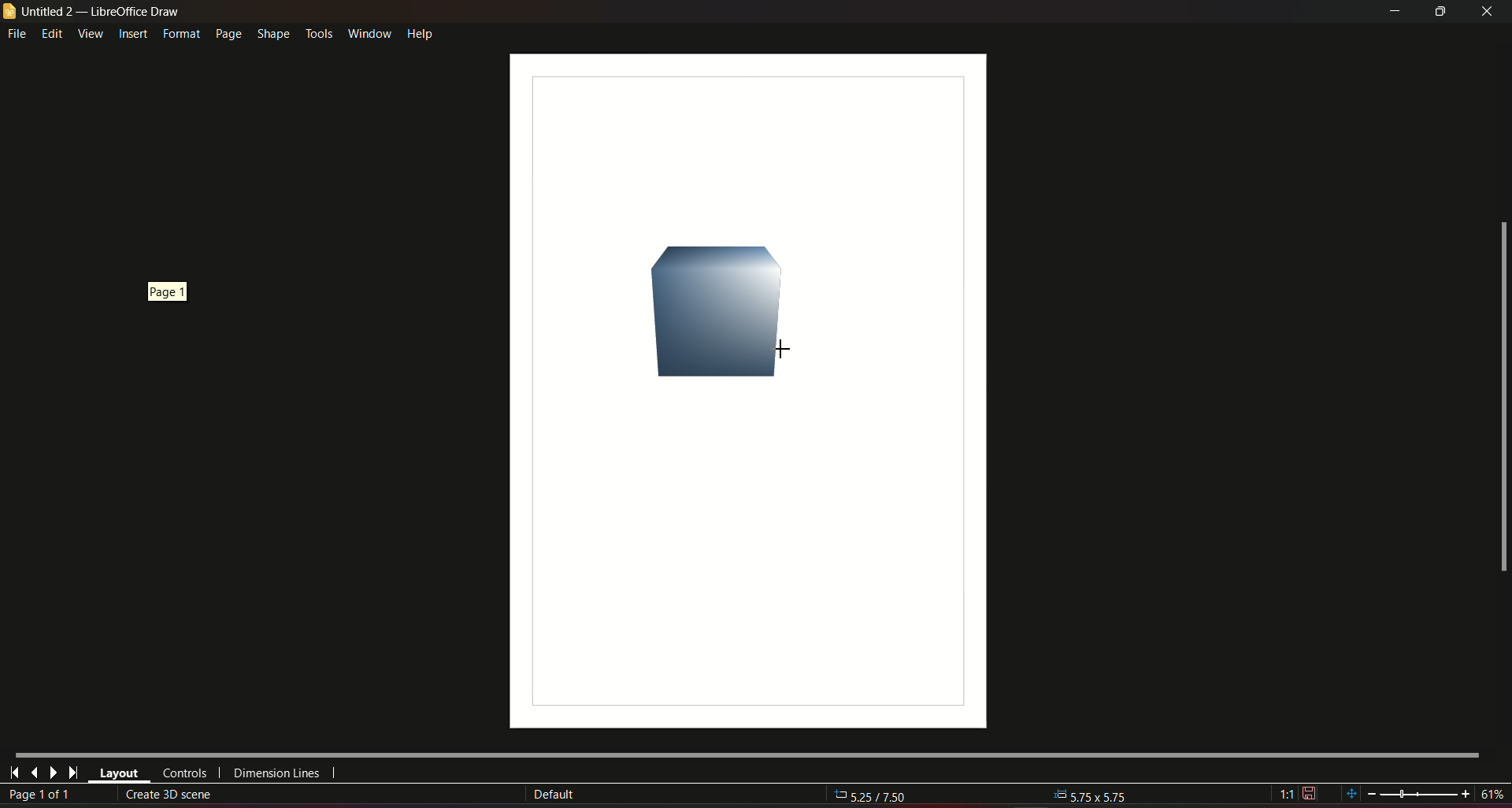 The image size is (1512, 808). Describe the element at coordinates (746, 753) in the screenshot. I see `Horizontal scroll bar` at that location.